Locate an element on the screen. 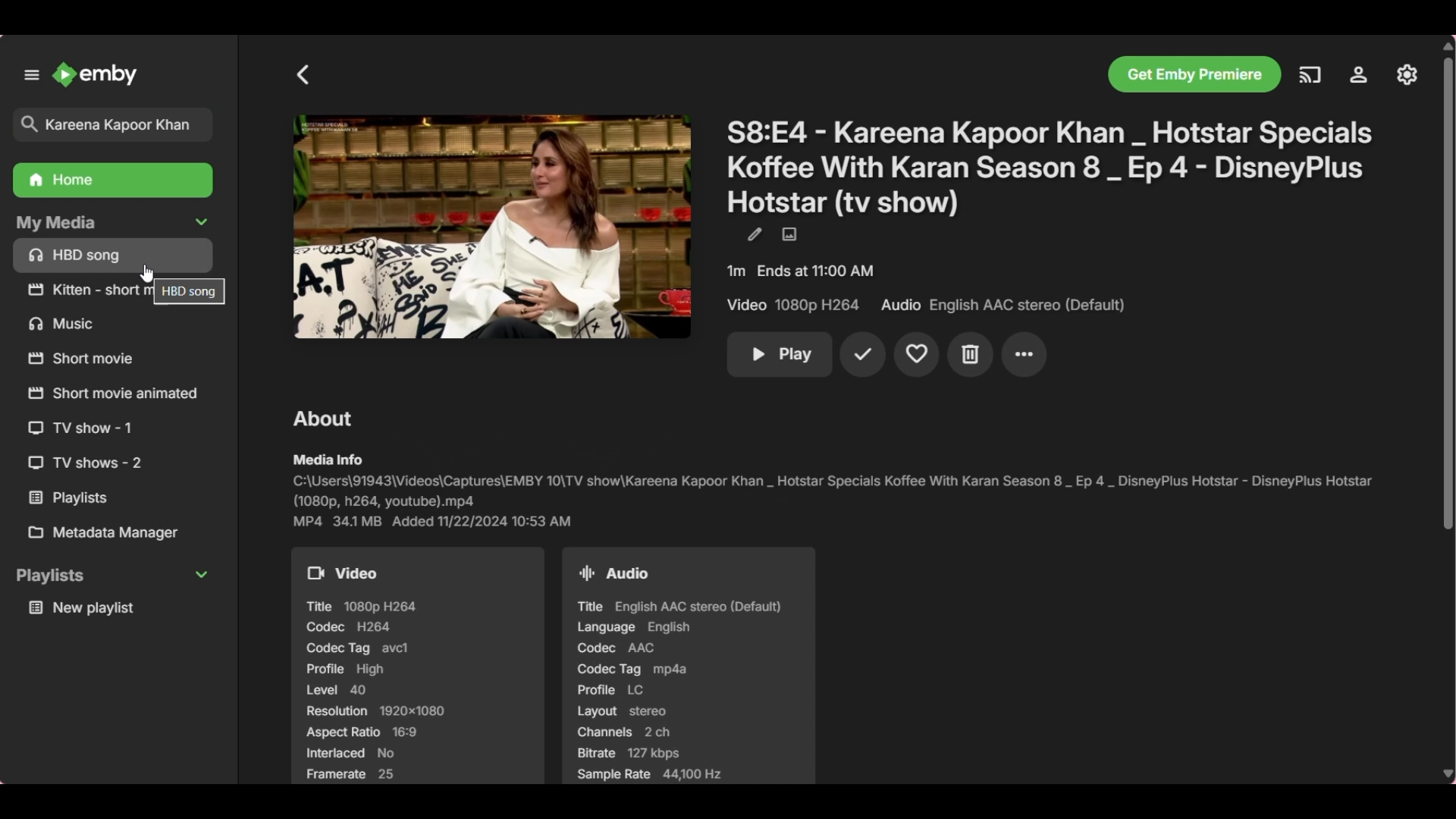 The image size is (1456, 819).  is located at coordinates (1195, 74).